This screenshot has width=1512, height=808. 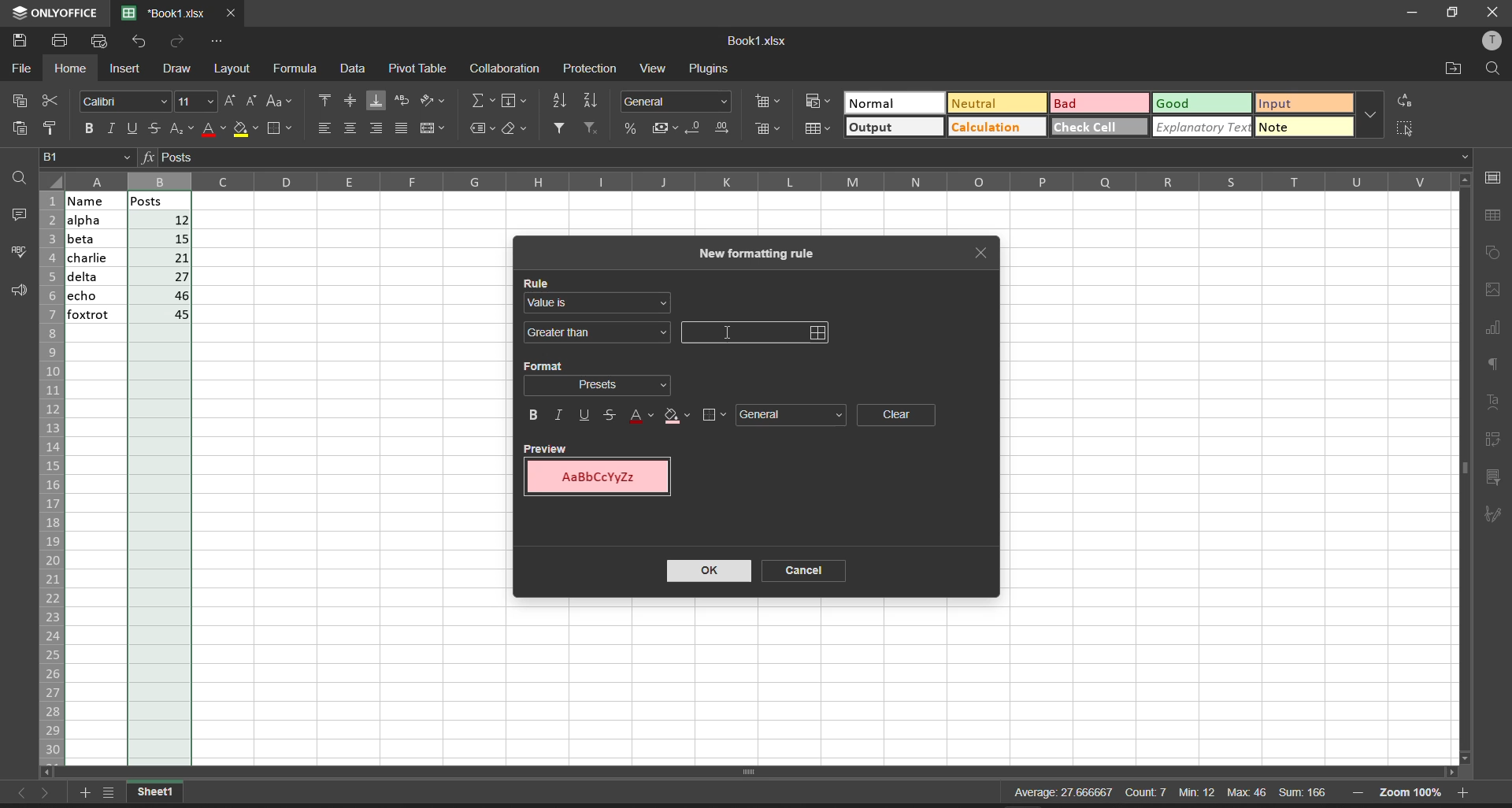 What do you see at coordinates (218, 40) in the screenshot?
I see `customize quick access toolbar` at bounding box center [218, 40].